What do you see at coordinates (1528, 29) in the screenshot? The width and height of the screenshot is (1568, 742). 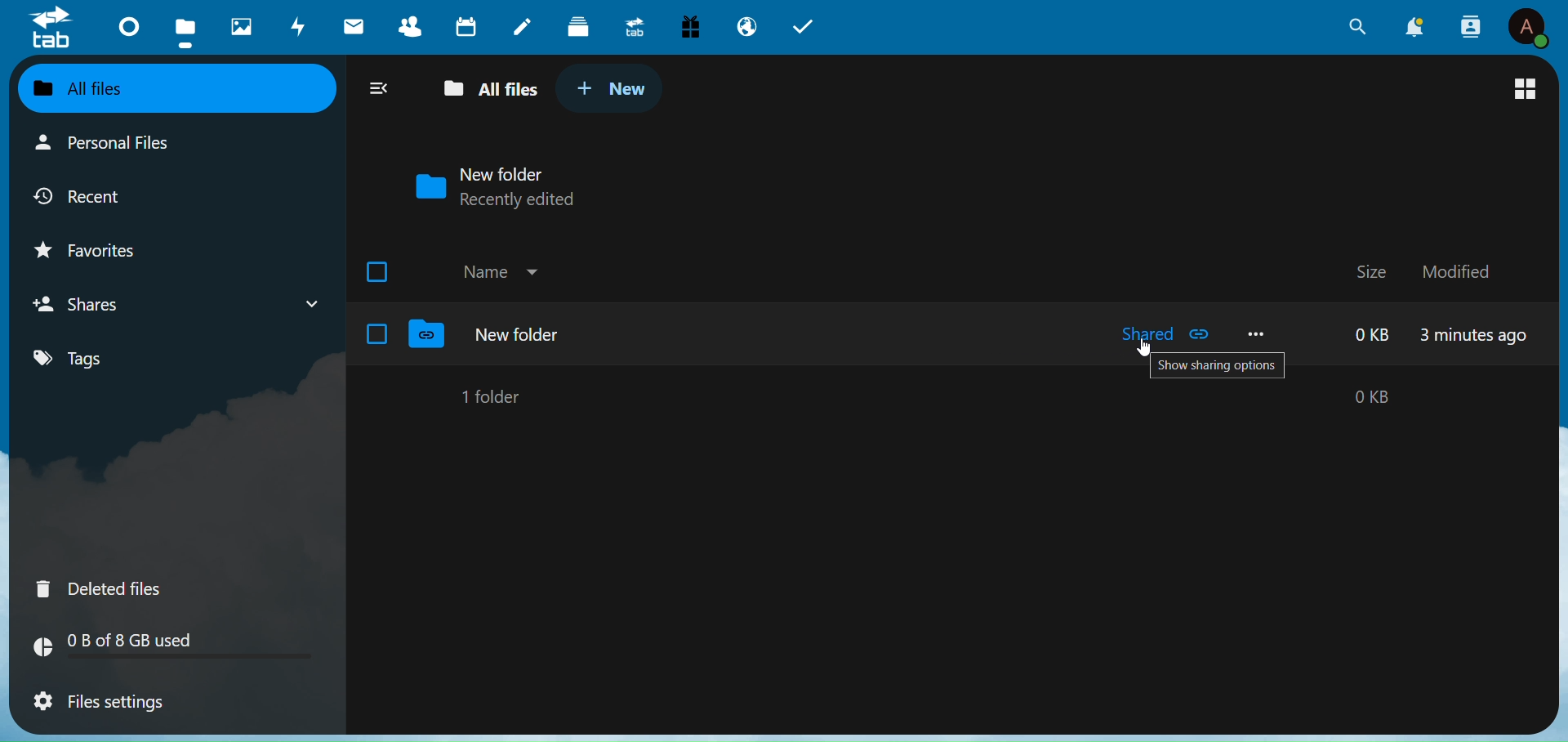 I see `Profile` at bounding box center [1528, 29].